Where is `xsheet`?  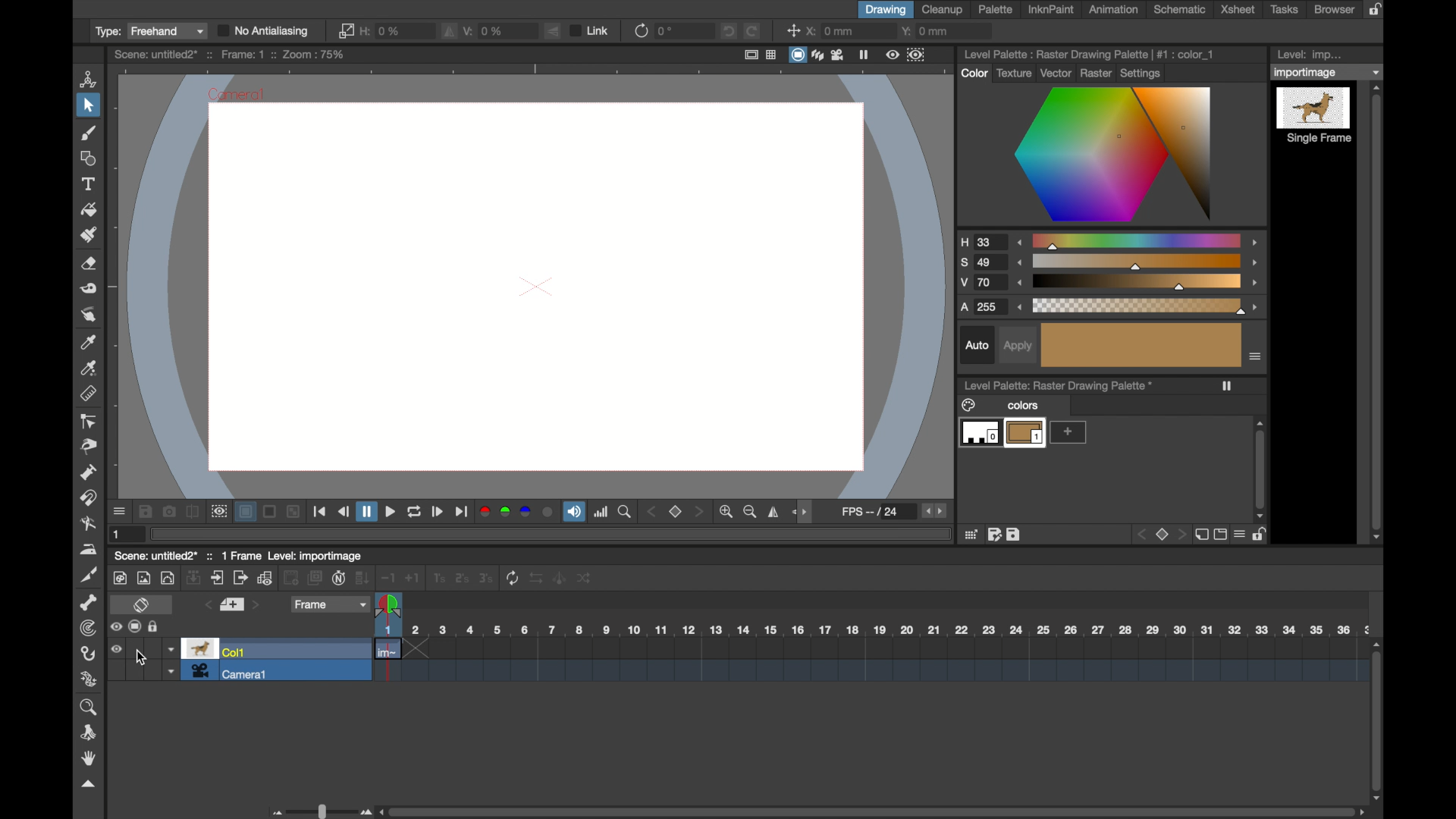
xsheet is located at coordinates (1238, 9).